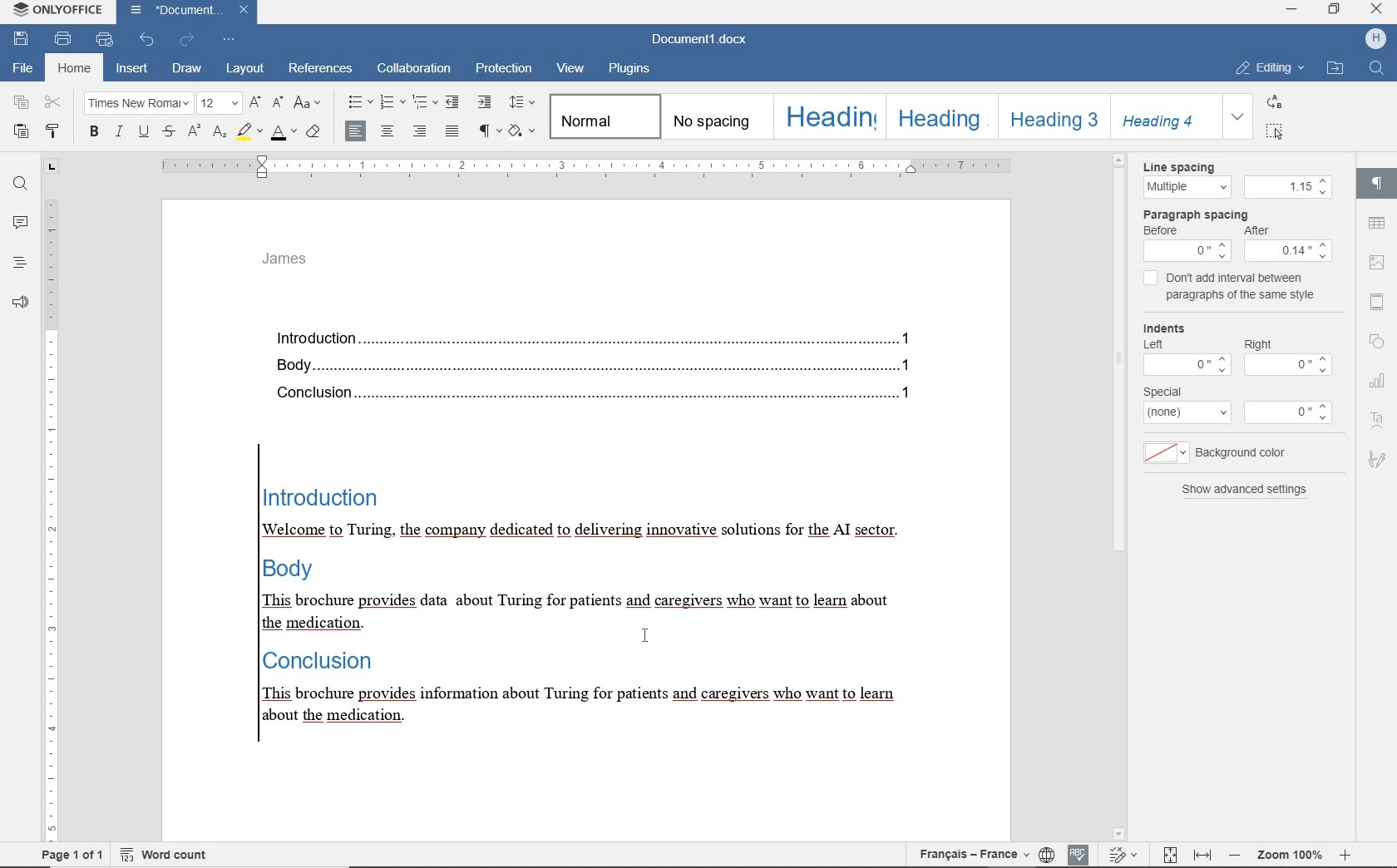  I want to click on draw, so click(187, 69).